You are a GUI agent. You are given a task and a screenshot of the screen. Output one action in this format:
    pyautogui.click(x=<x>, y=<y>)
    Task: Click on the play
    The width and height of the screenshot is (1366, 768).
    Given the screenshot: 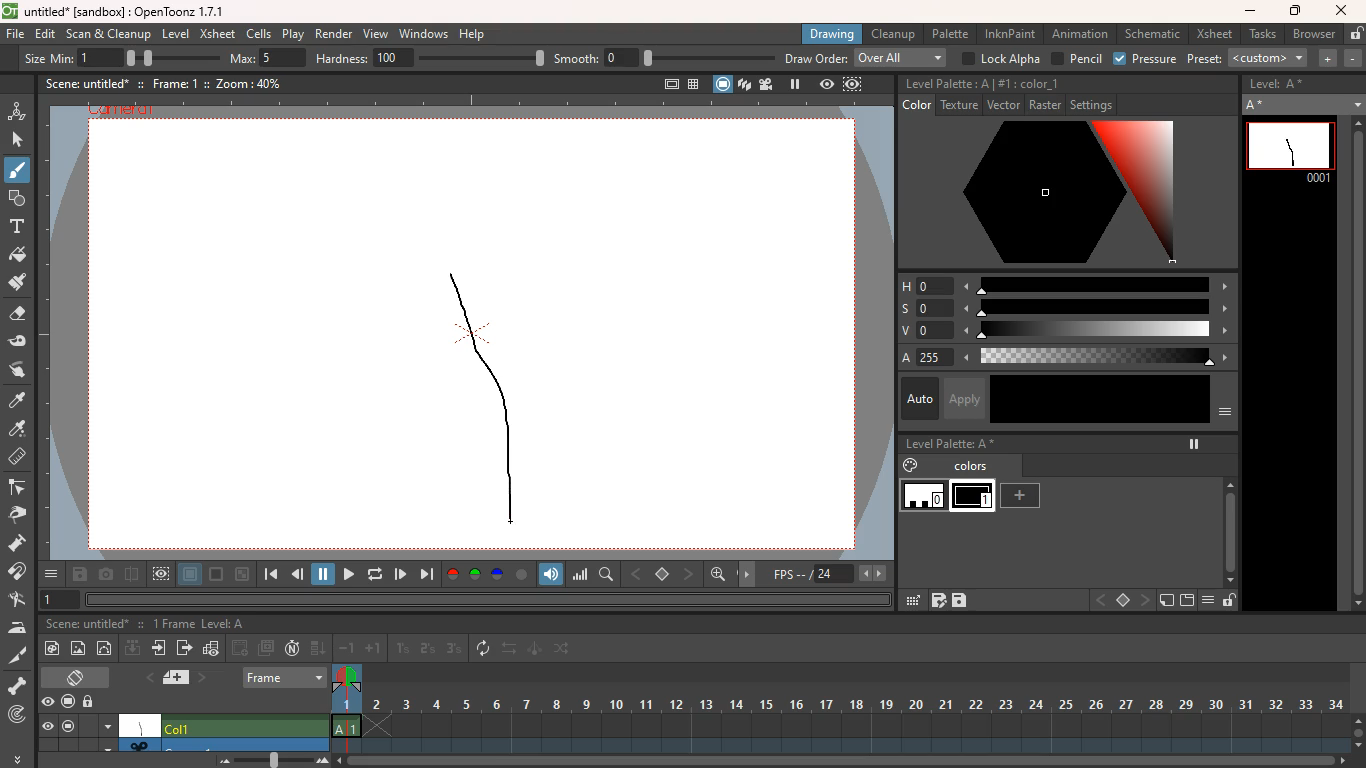 What is the action you would take?
    pyautogui.click(x=401, y=573)
    